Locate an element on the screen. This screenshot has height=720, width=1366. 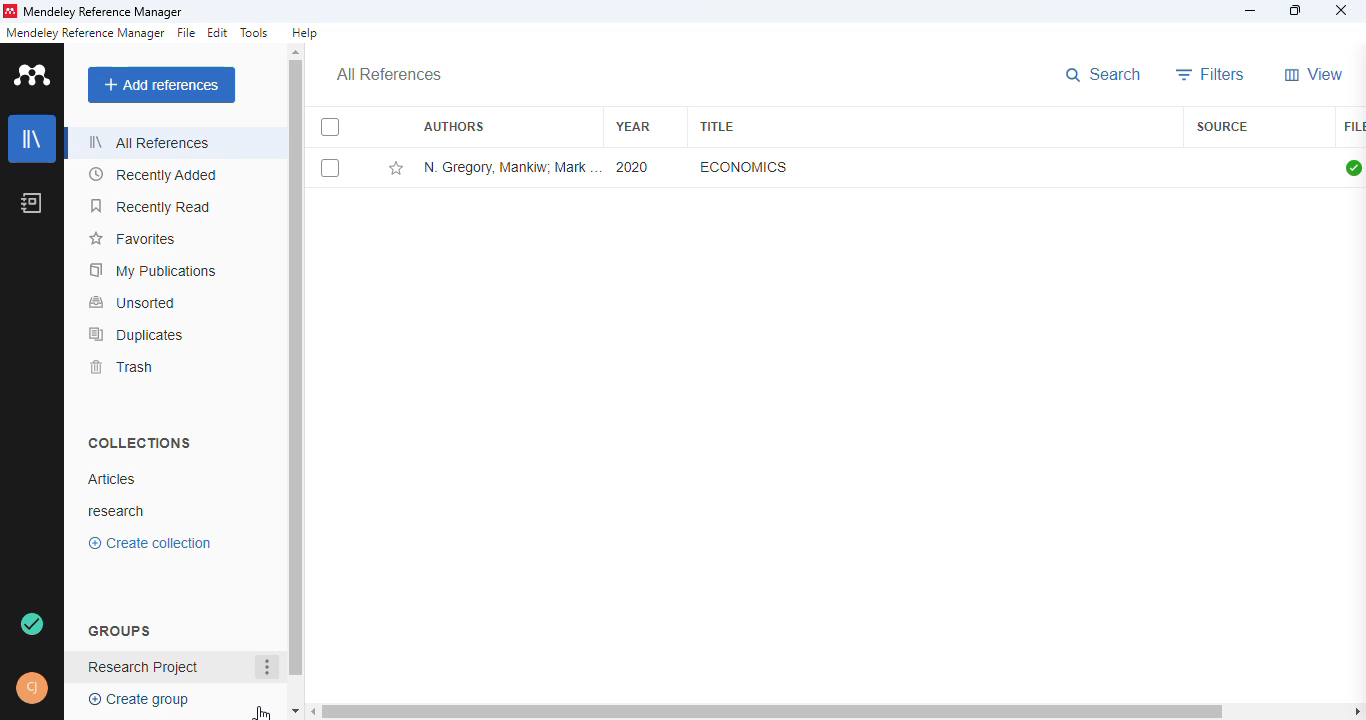
more actions is located at coordinates (267, 668).